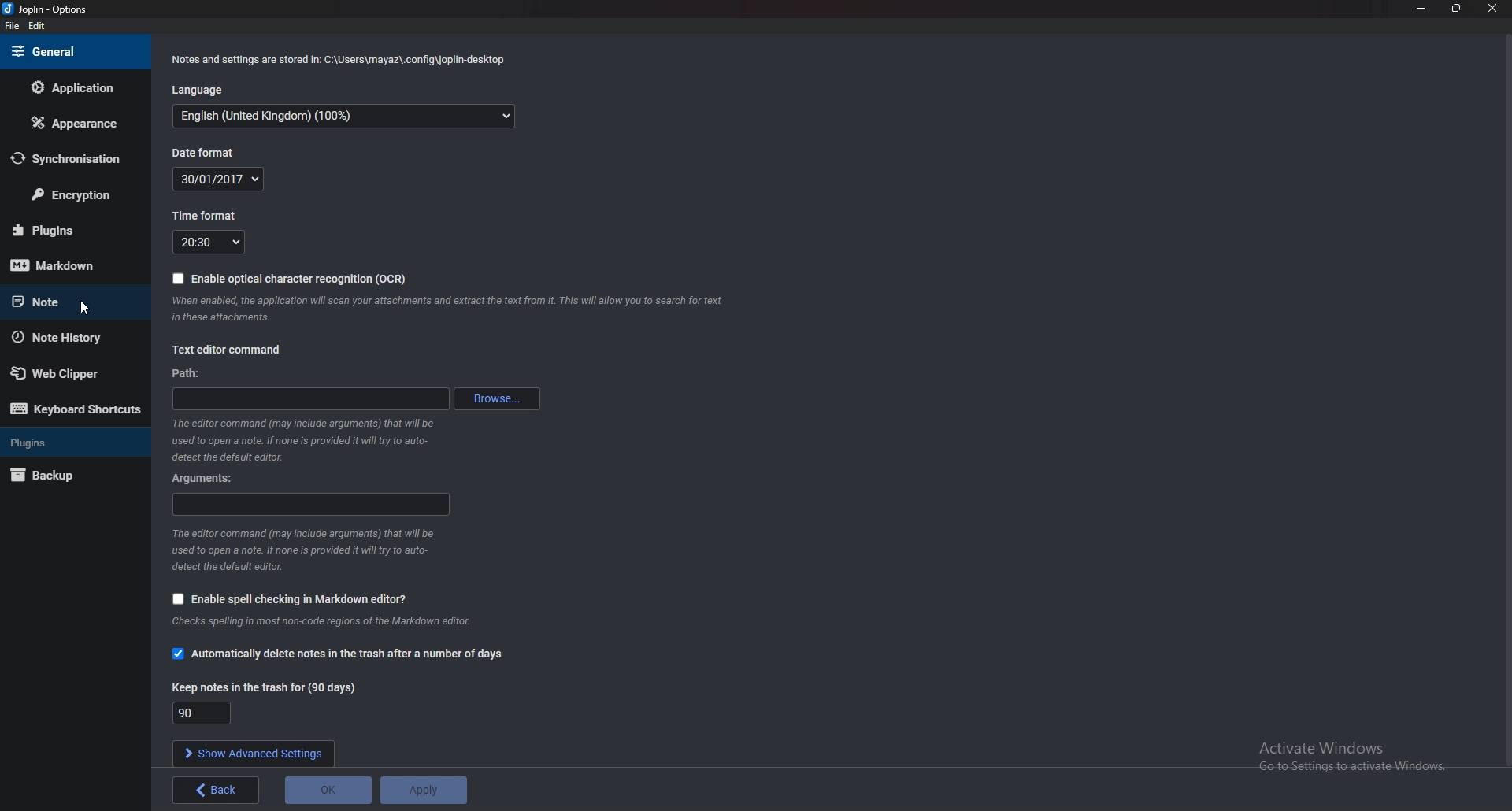 The image size is (1512, 811). What do you see at coordinates (204, 713) in the screenshot?
I see `90` at bounding box center [204, 713].